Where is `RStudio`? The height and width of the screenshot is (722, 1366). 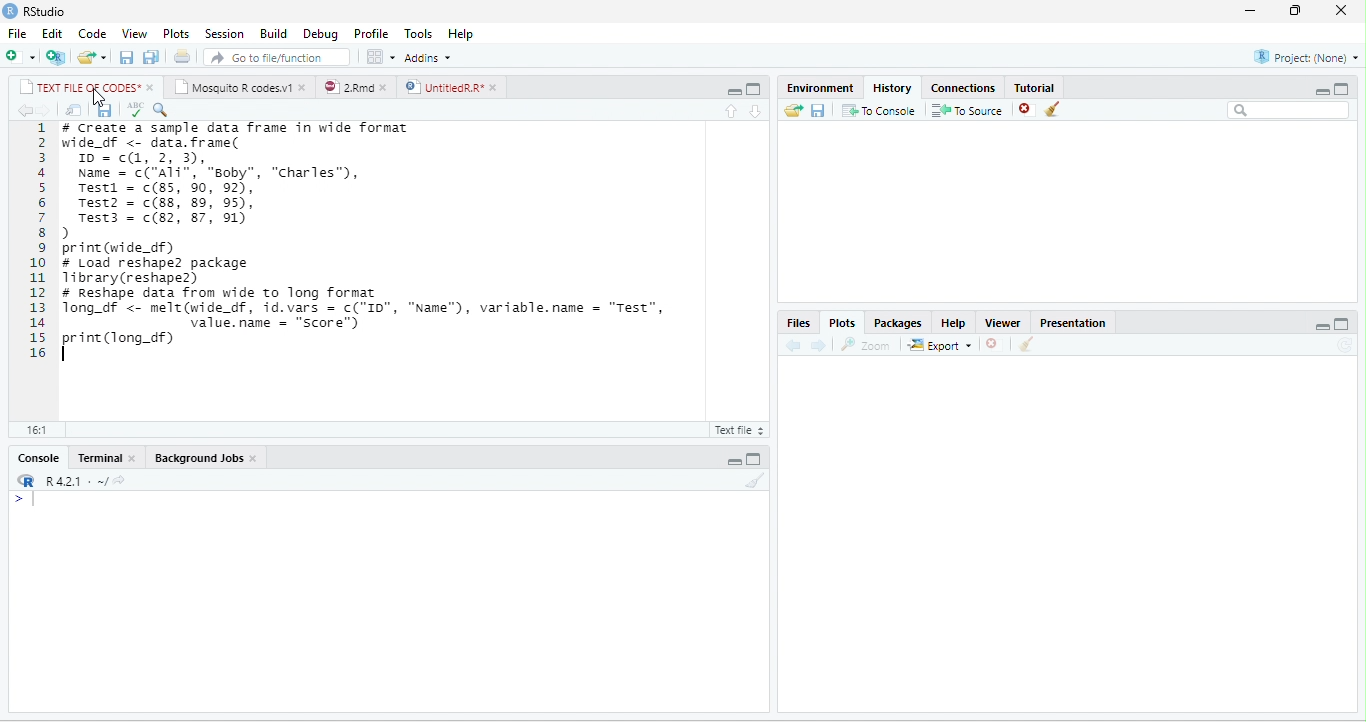
RStudio is located at coordinates (46, 12).